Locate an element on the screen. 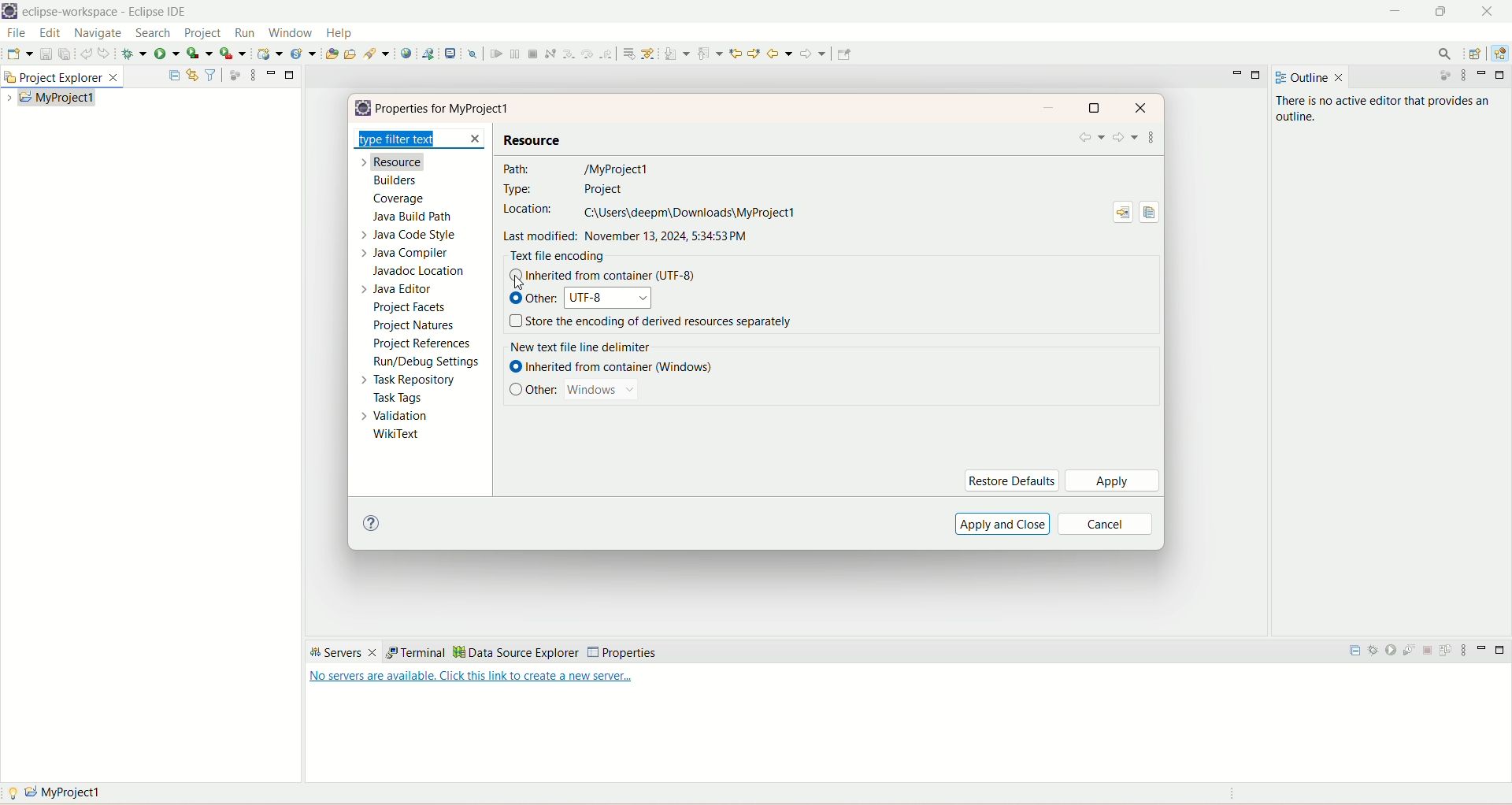  path is located at coordinates (578, 167).